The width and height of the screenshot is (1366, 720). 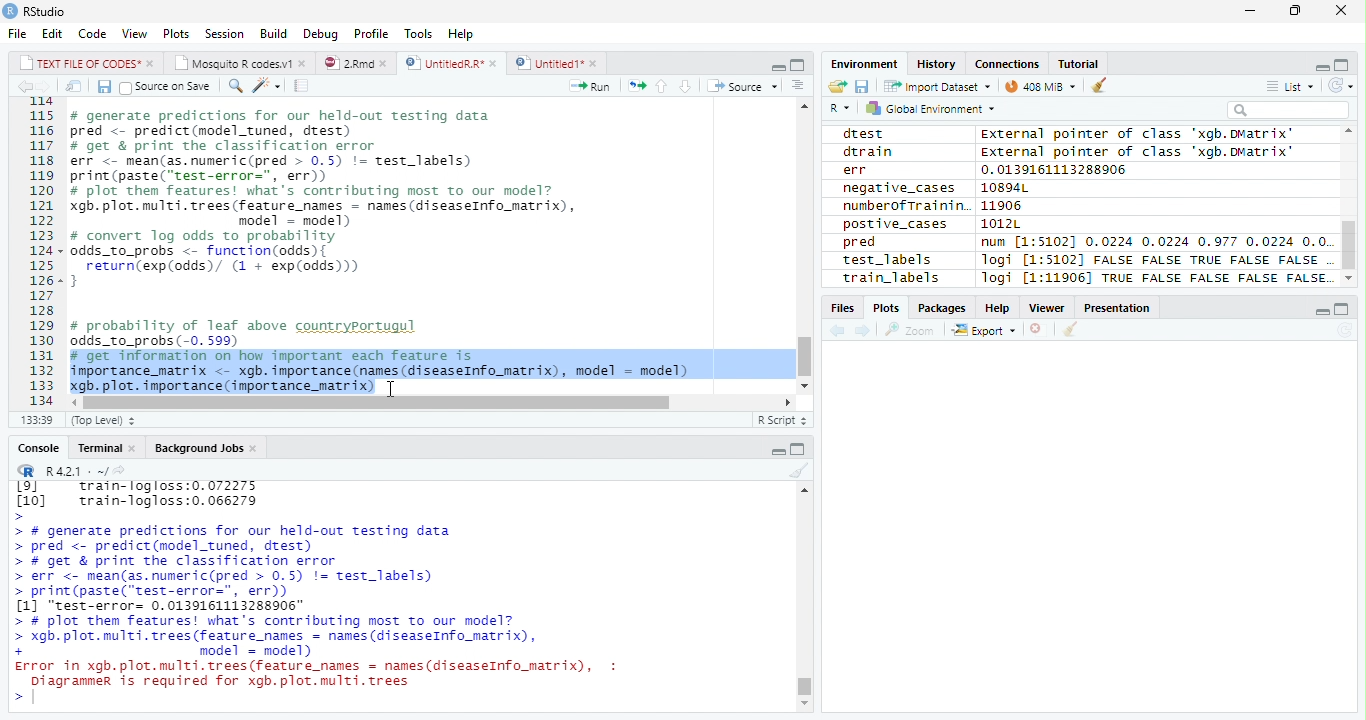 What do you see at coordinates (1071, 330) in the screenshot?
I see `Clean` at bounding box center [1071, 330].